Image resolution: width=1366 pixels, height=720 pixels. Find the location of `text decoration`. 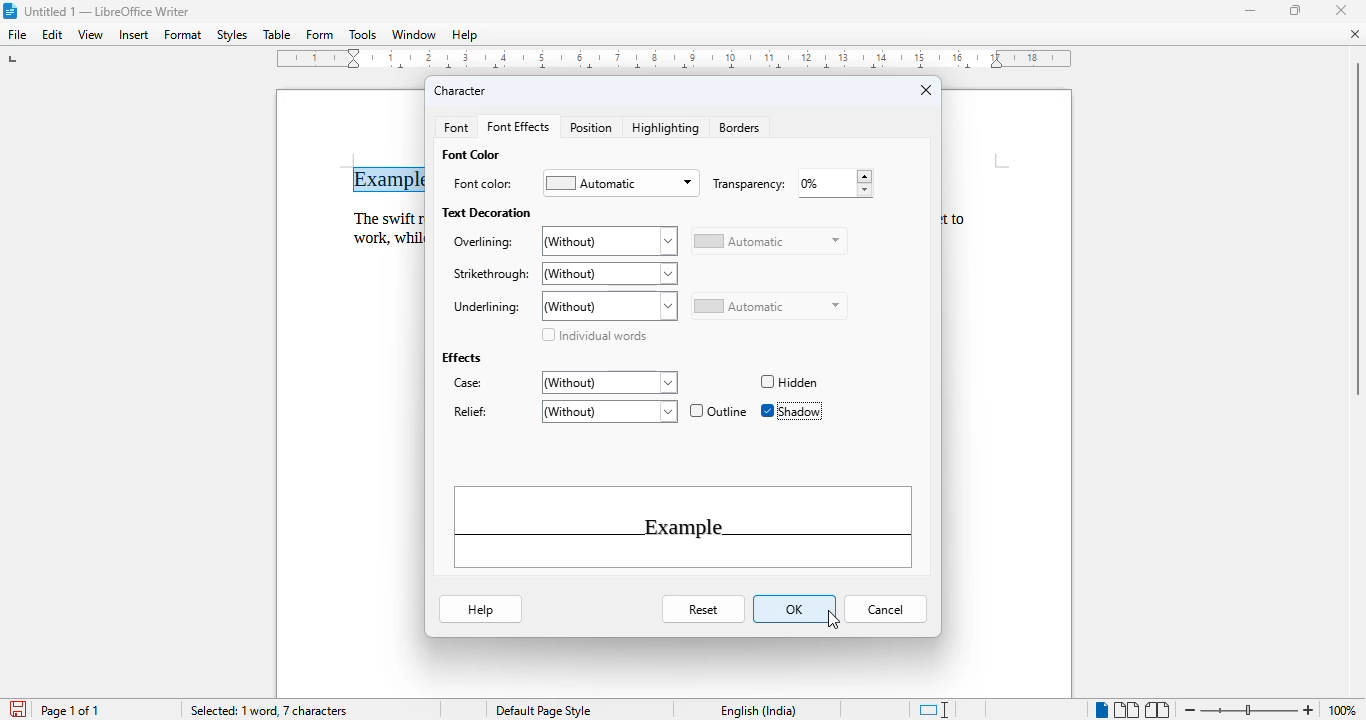

text decoration is located at coordinates (487, 212).